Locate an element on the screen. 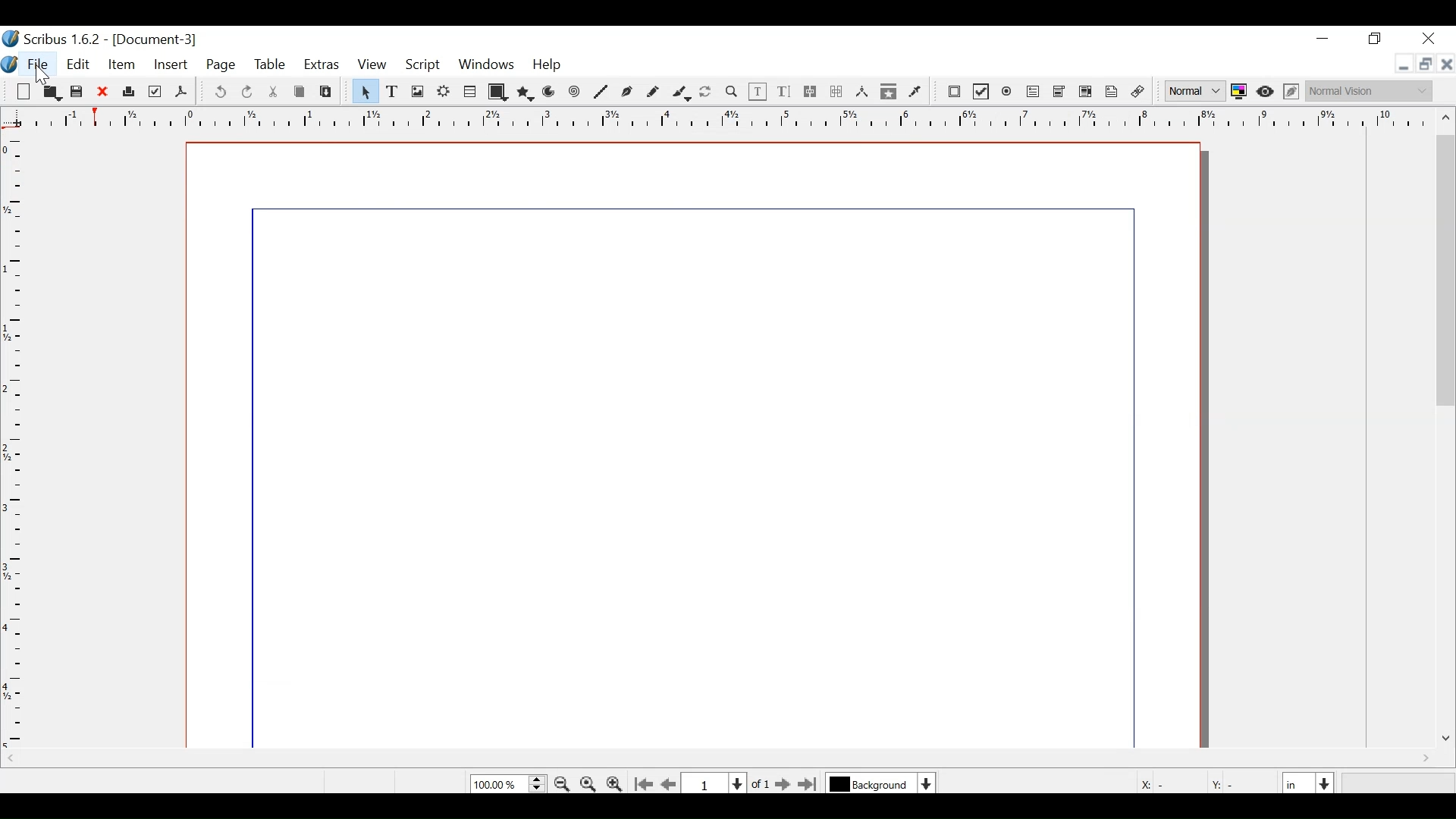  Current Page is located at coordinates (716, 782).